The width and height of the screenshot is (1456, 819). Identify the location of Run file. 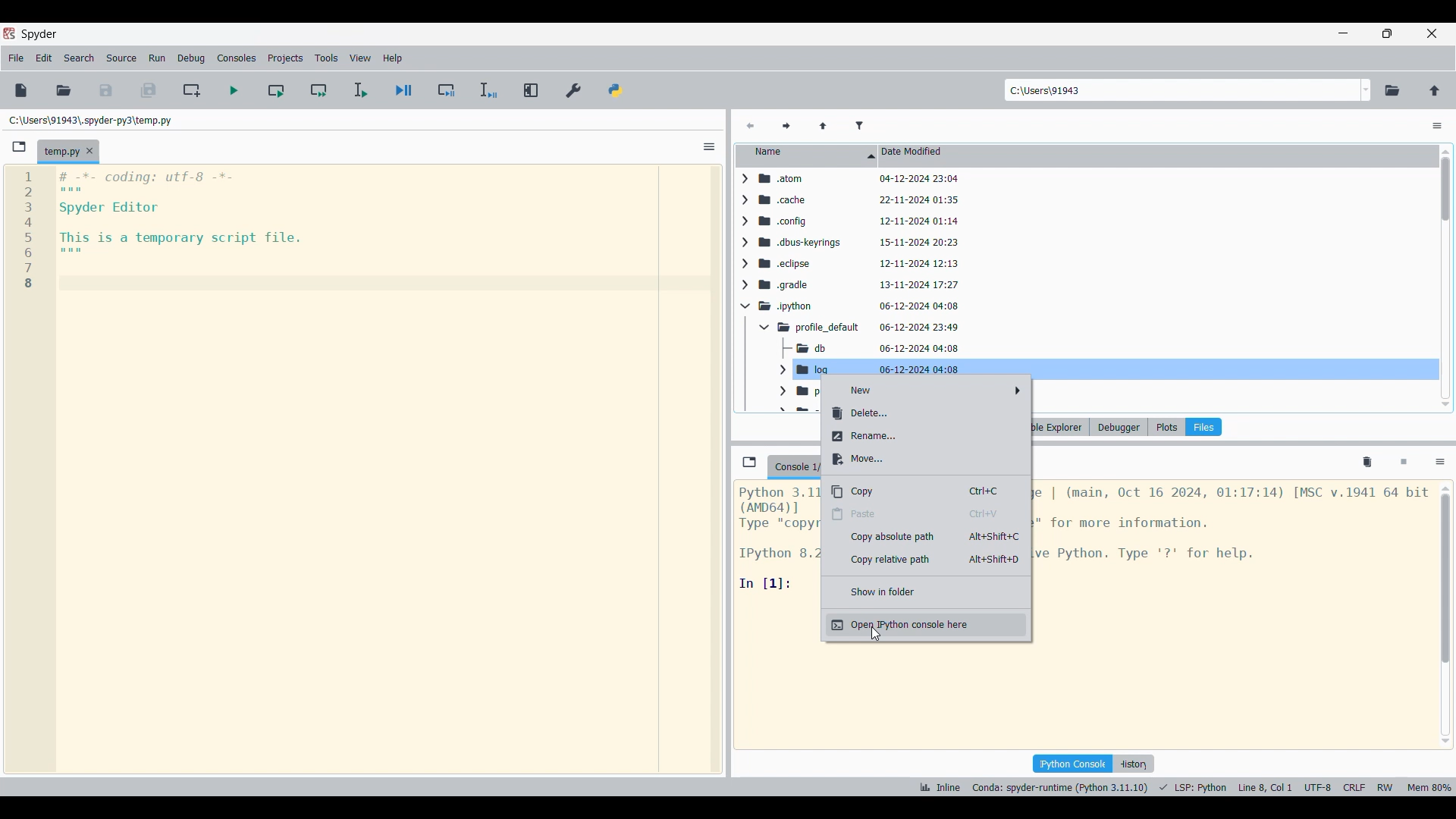
(234, 90).